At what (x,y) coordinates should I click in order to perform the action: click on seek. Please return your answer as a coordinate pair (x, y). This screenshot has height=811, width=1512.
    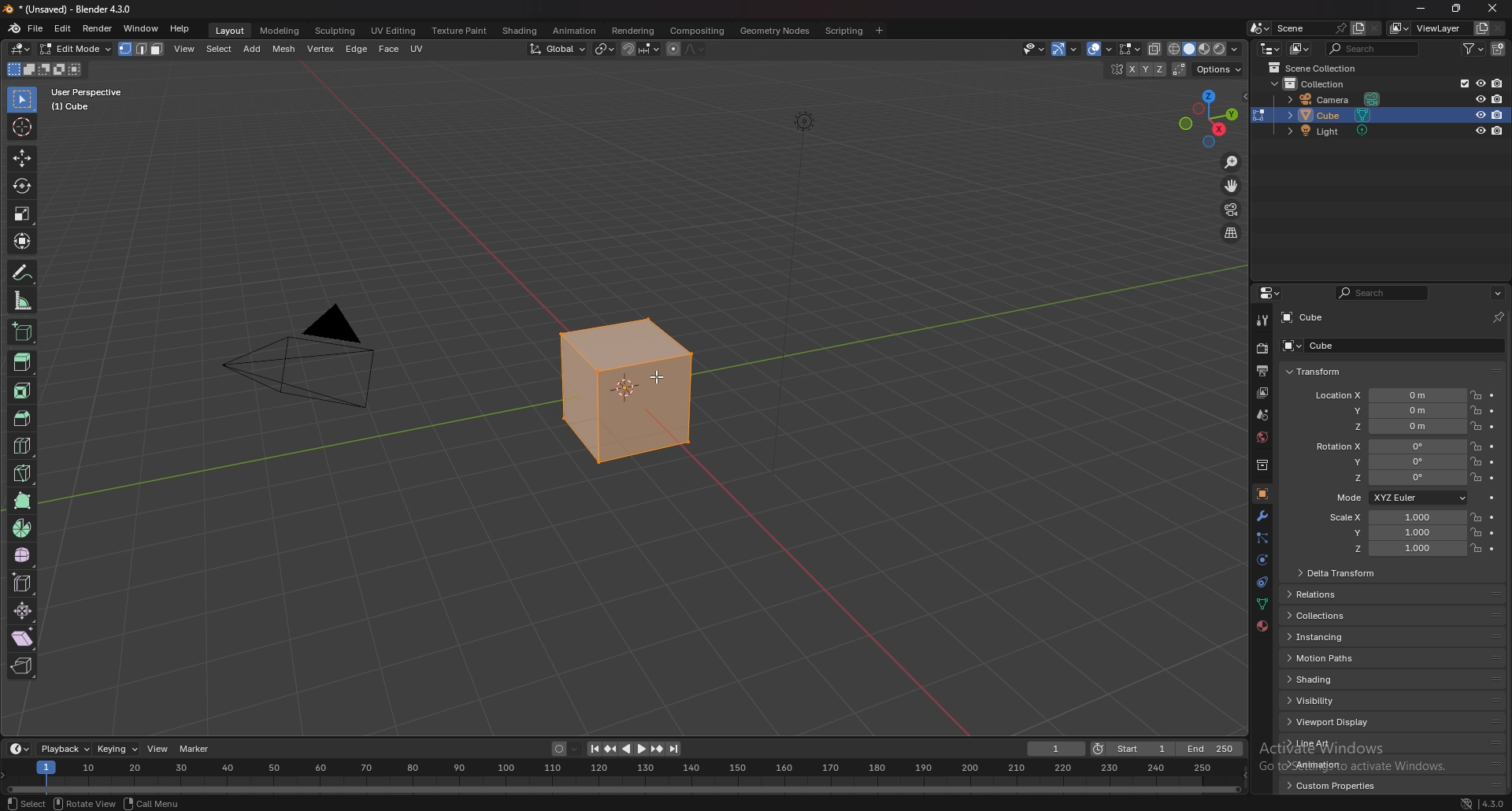
    Looking at the image, I should click on (624, 777).